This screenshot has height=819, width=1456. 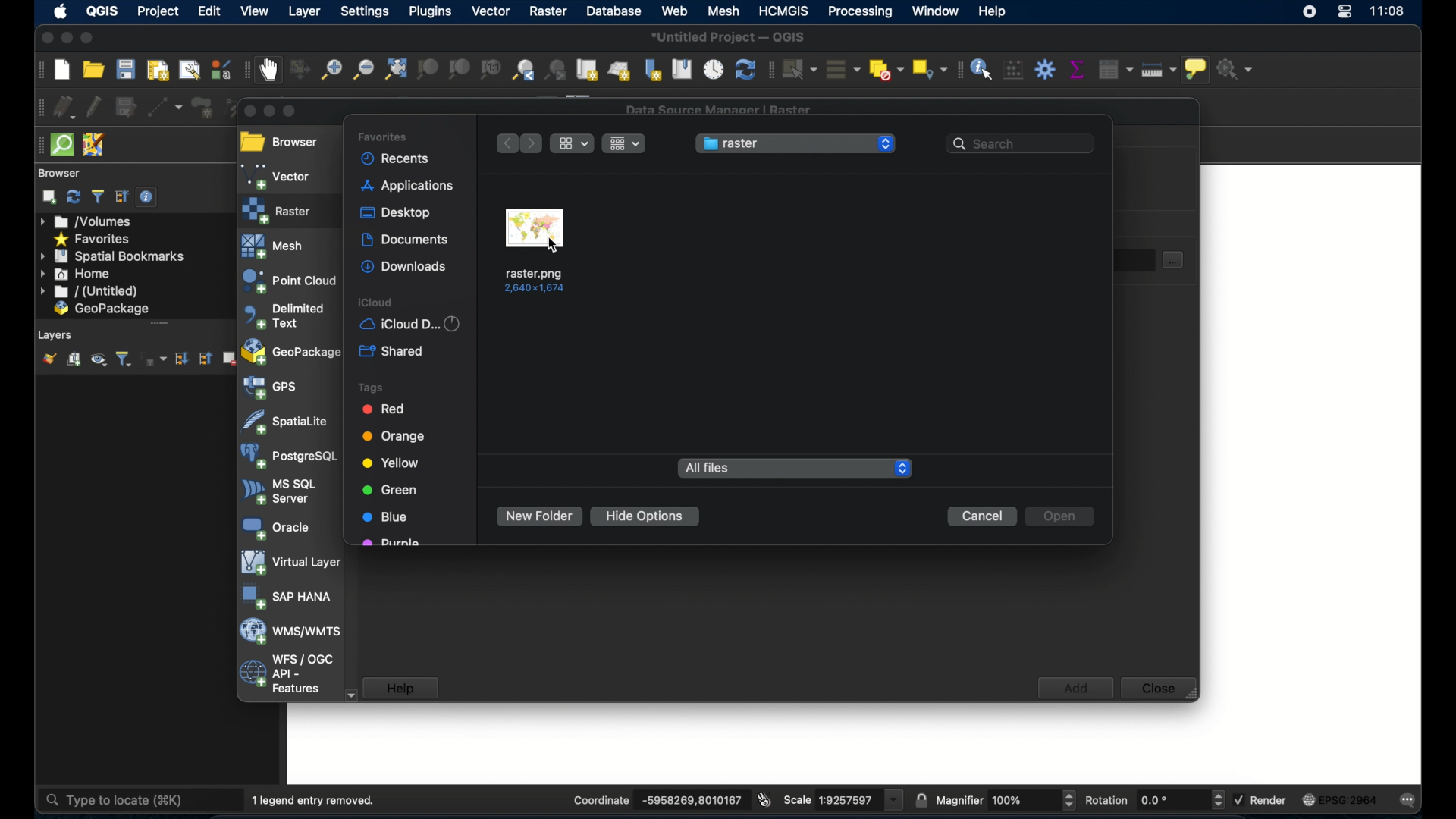 What do you see at coordinates (536, 515) in the screenshot?
I see `new folder` at bounding box center [536, 515].